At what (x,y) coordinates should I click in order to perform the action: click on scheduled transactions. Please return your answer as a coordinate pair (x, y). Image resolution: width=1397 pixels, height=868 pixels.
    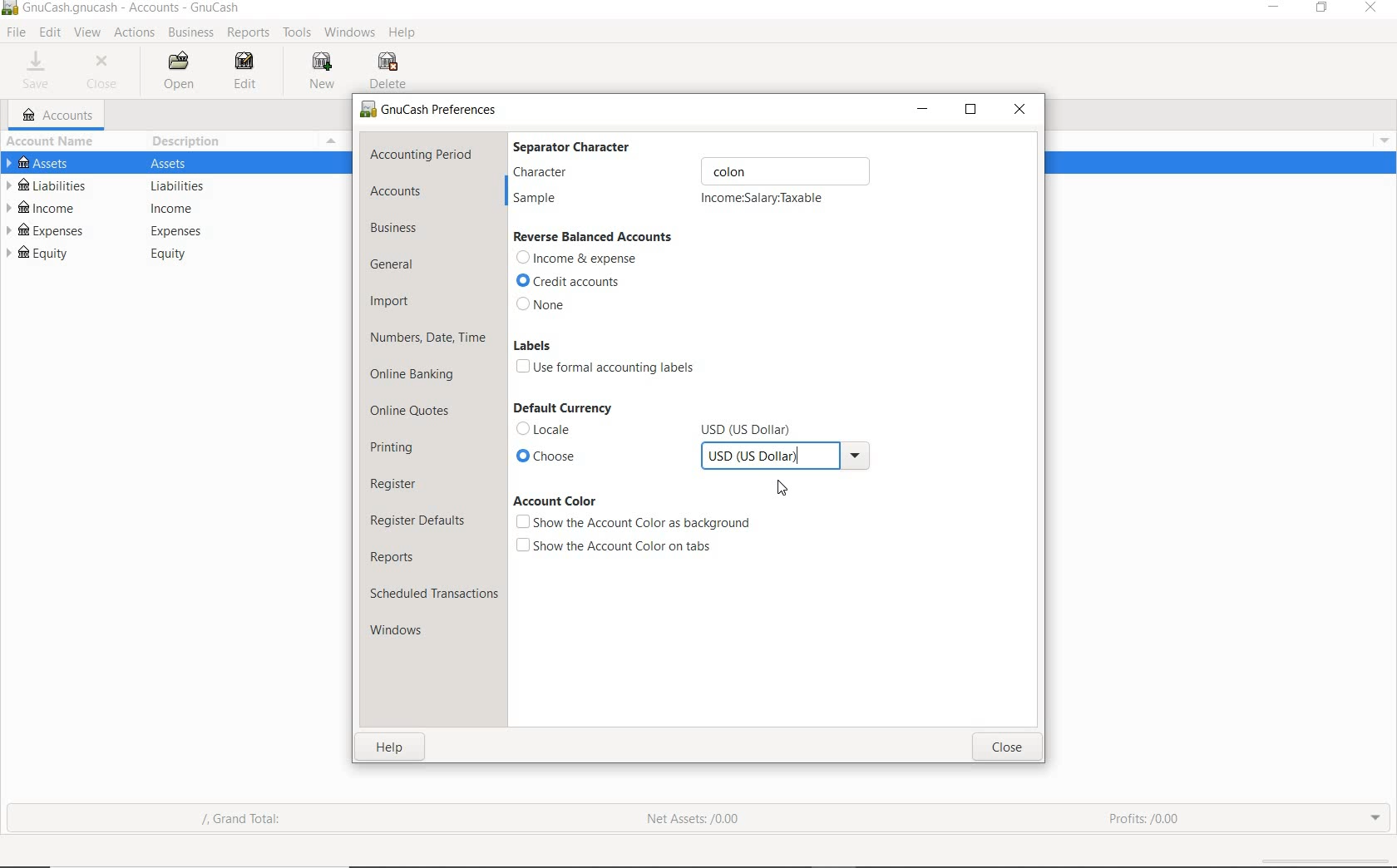
    Looking at the image, I should click on (433, 594).